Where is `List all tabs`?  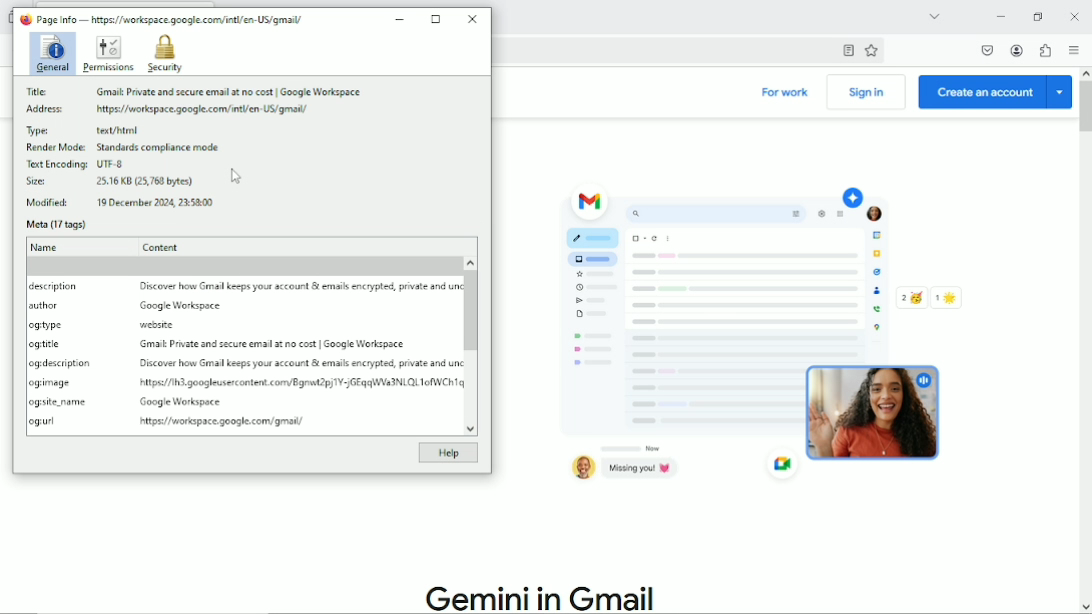 List all tabs is located at coordinates (931, 15).